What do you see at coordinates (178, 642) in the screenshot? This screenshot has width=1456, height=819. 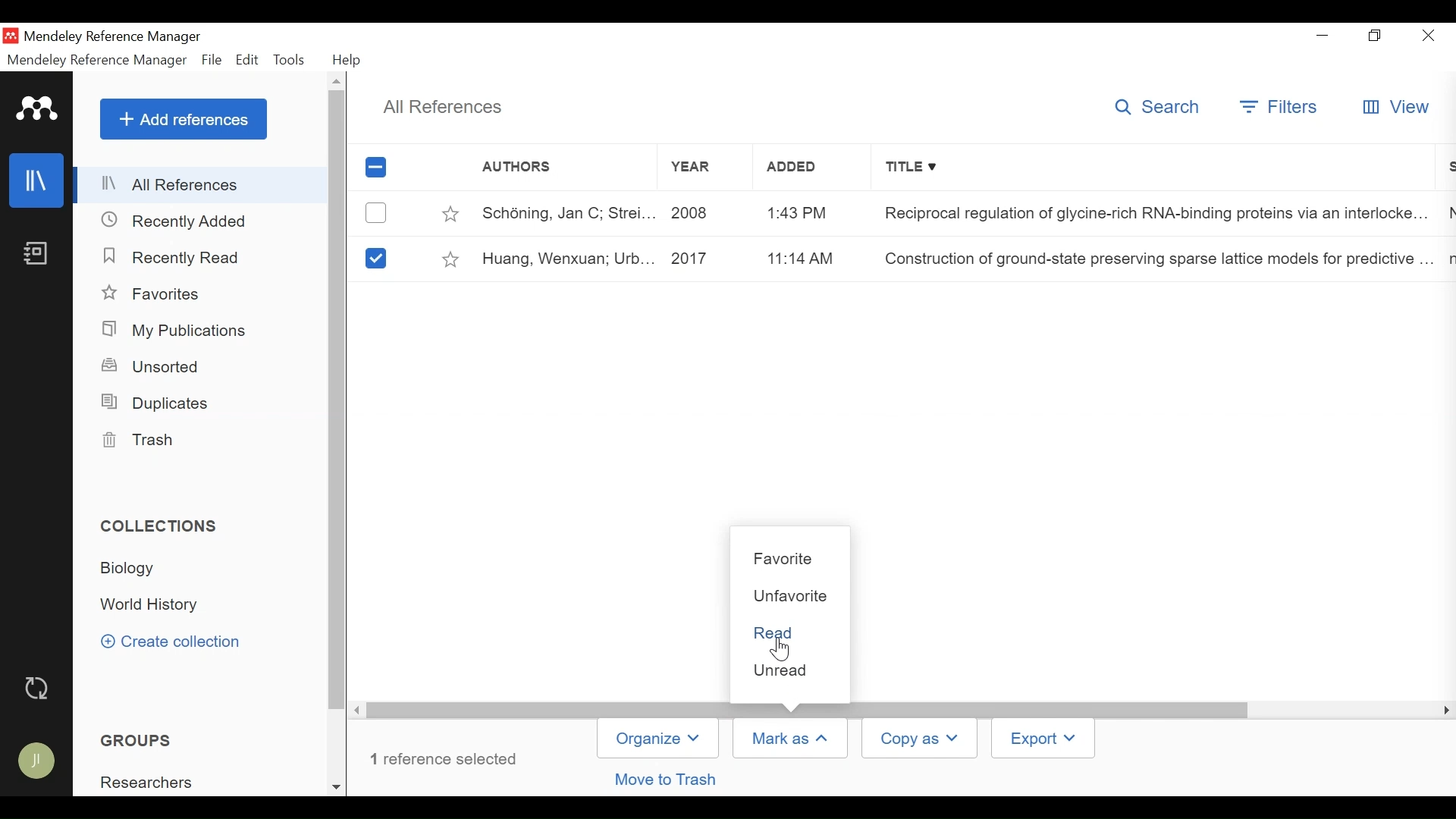 I see `Create Collection` at bounding box center [178, 642].